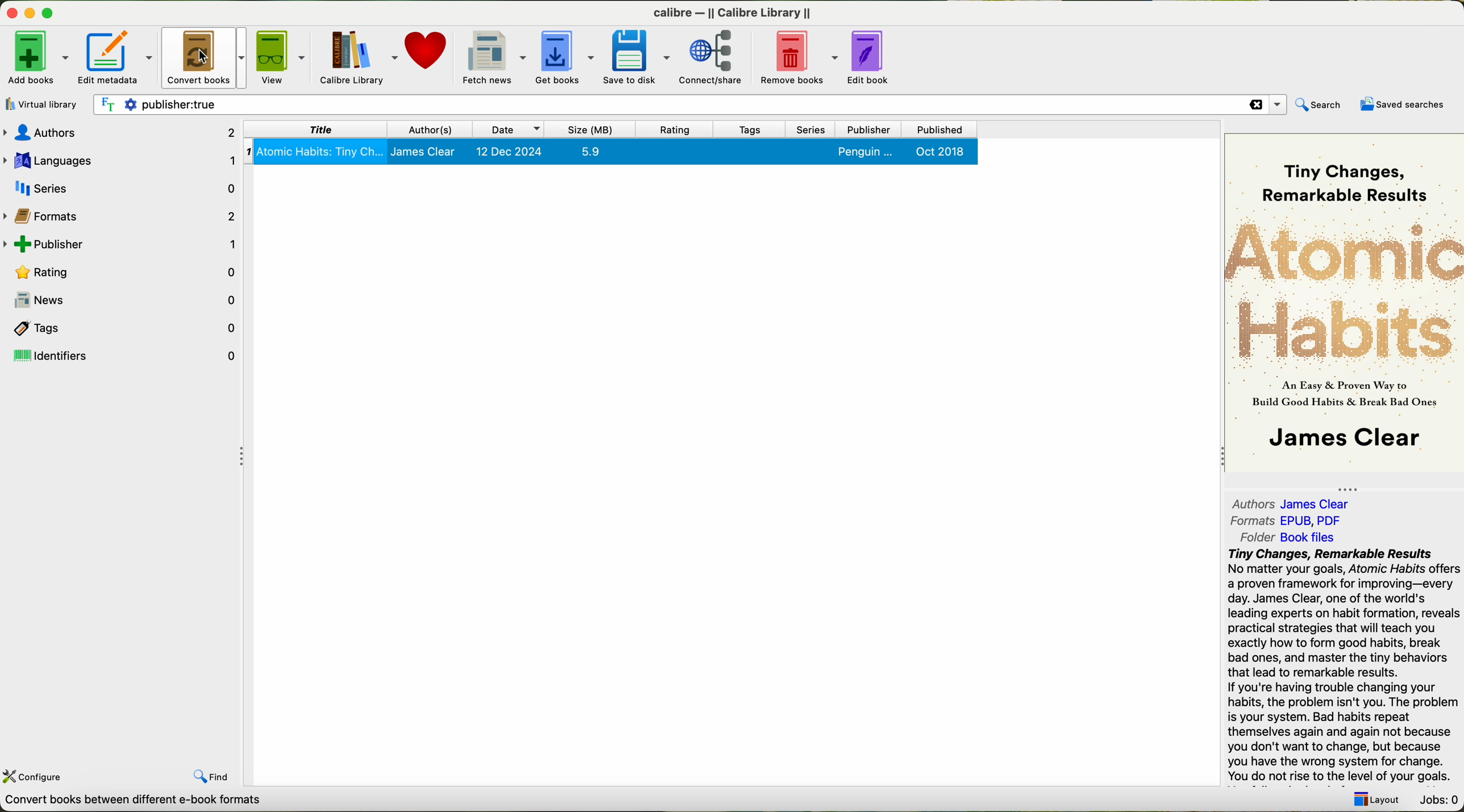  I want to click on click on convert books, so click(206, 58).